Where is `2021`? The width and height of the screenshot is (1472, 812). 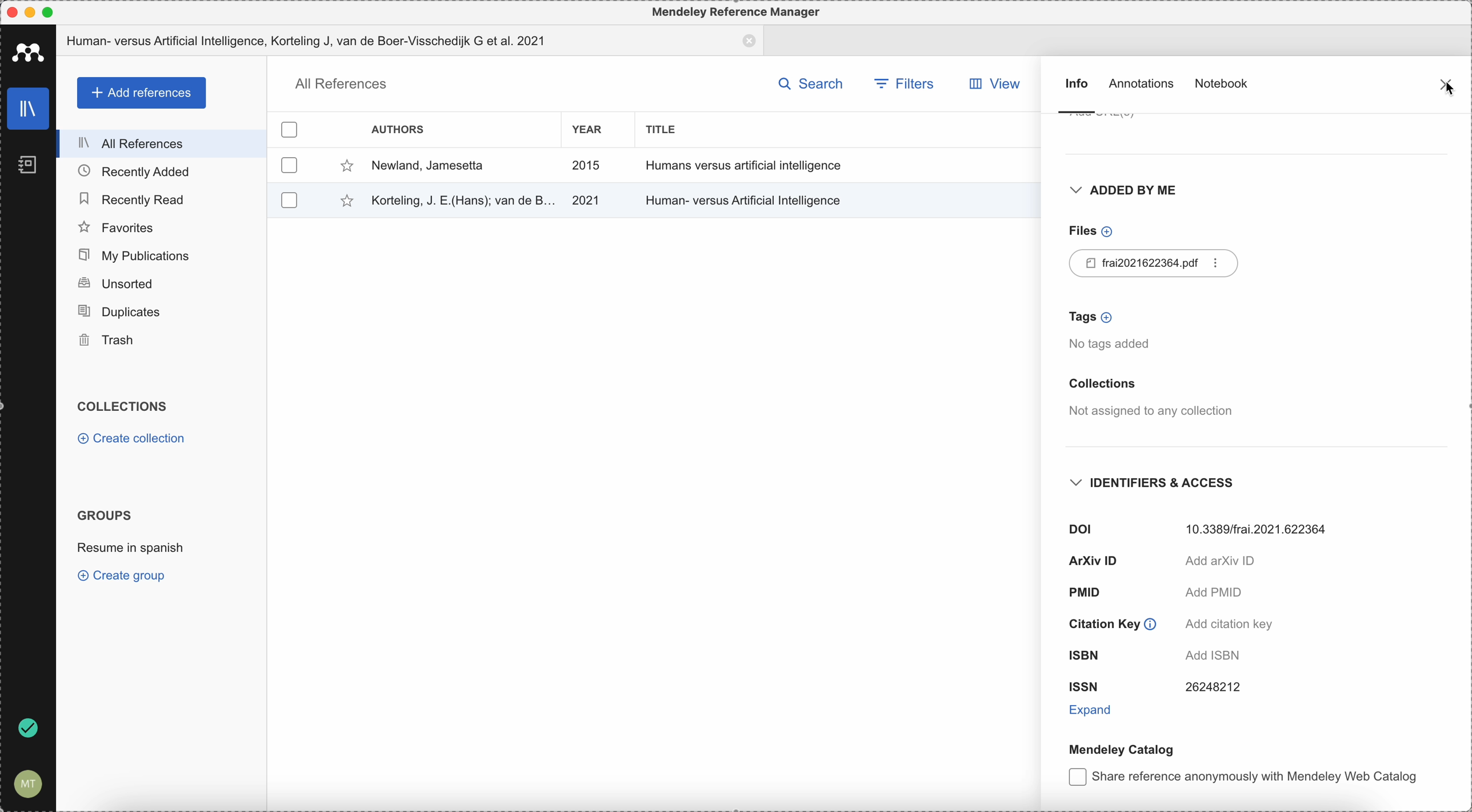
2021 is located at coordinates (586, 201).